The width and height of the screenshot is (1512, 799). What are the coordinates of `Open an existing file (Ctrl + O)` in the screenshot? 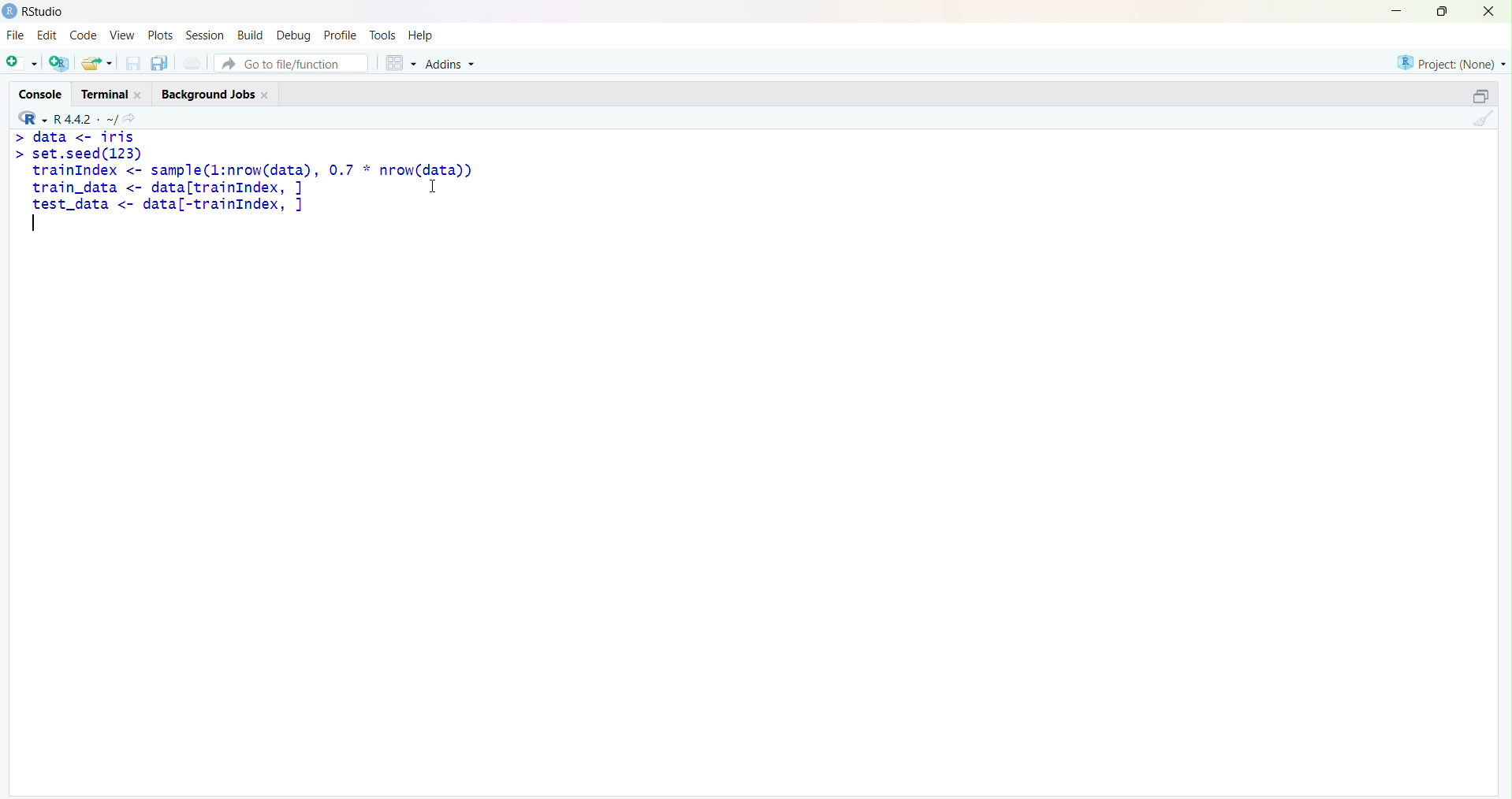 It's located at (99, 63).